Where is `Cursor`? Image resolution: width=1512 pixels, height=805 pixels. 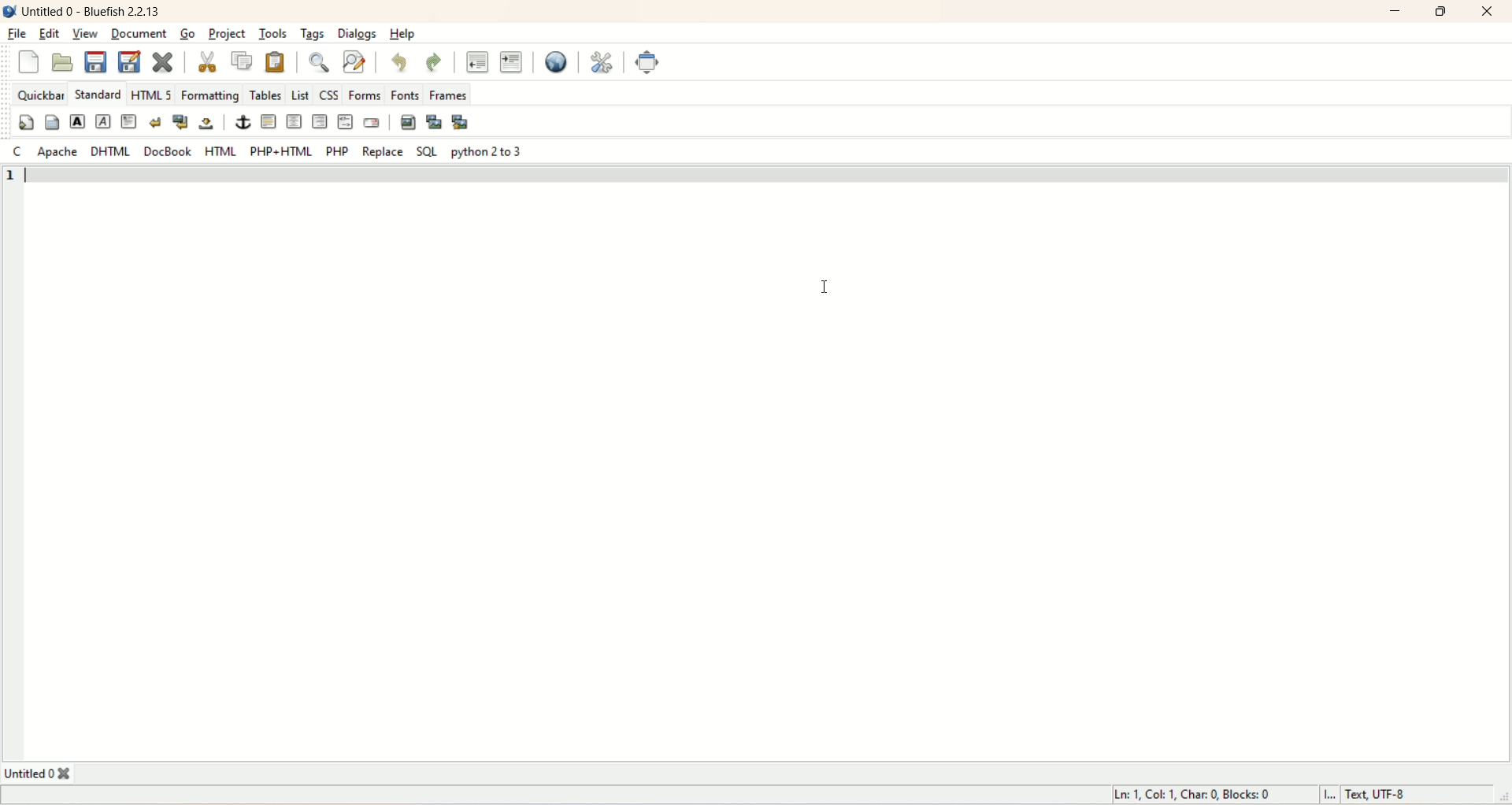 Cursor is located at coordinates (825, 287).